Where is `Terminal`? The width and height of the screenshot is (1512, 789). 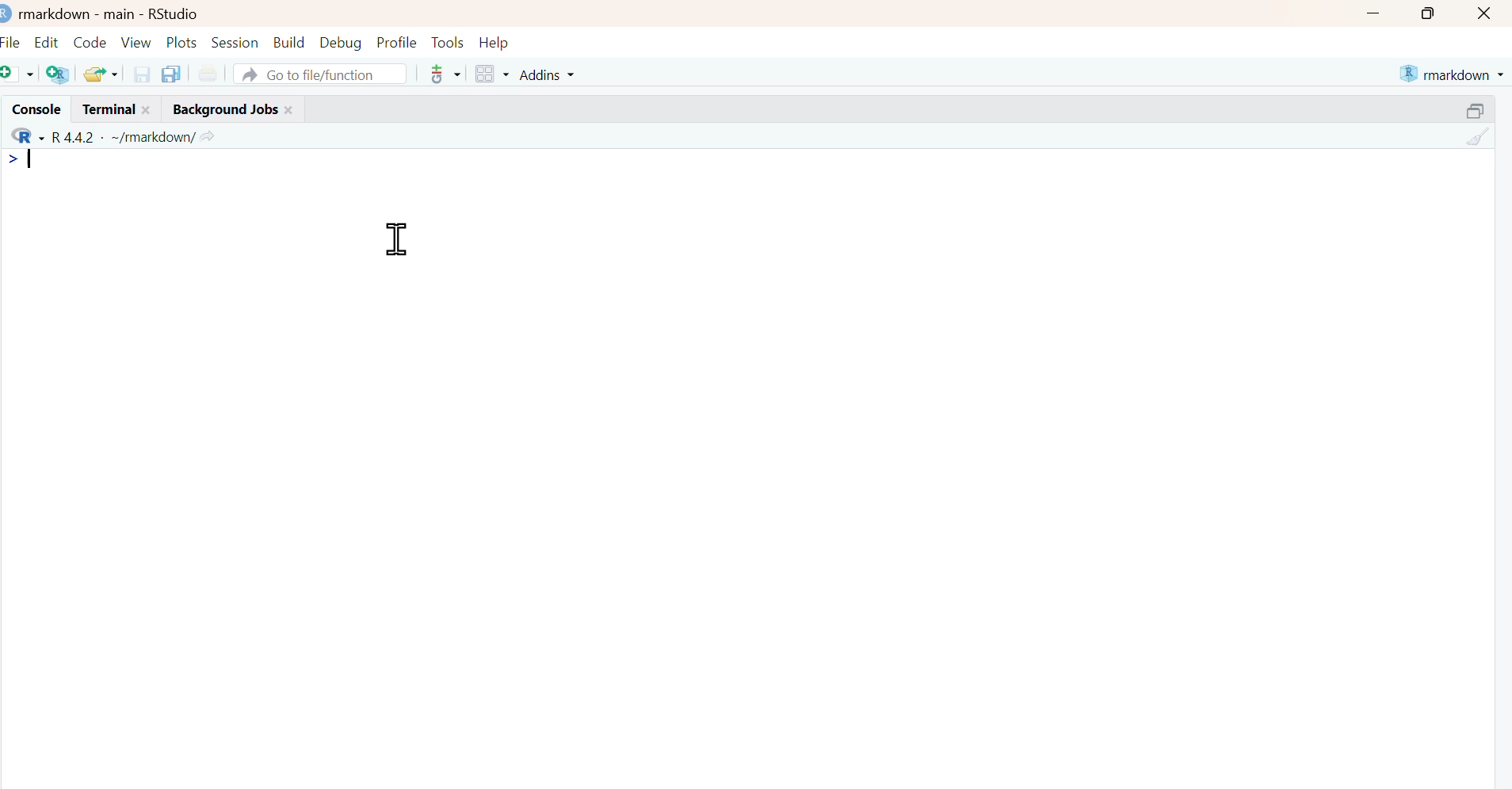
Terminal is located at coordinates (105, 109).